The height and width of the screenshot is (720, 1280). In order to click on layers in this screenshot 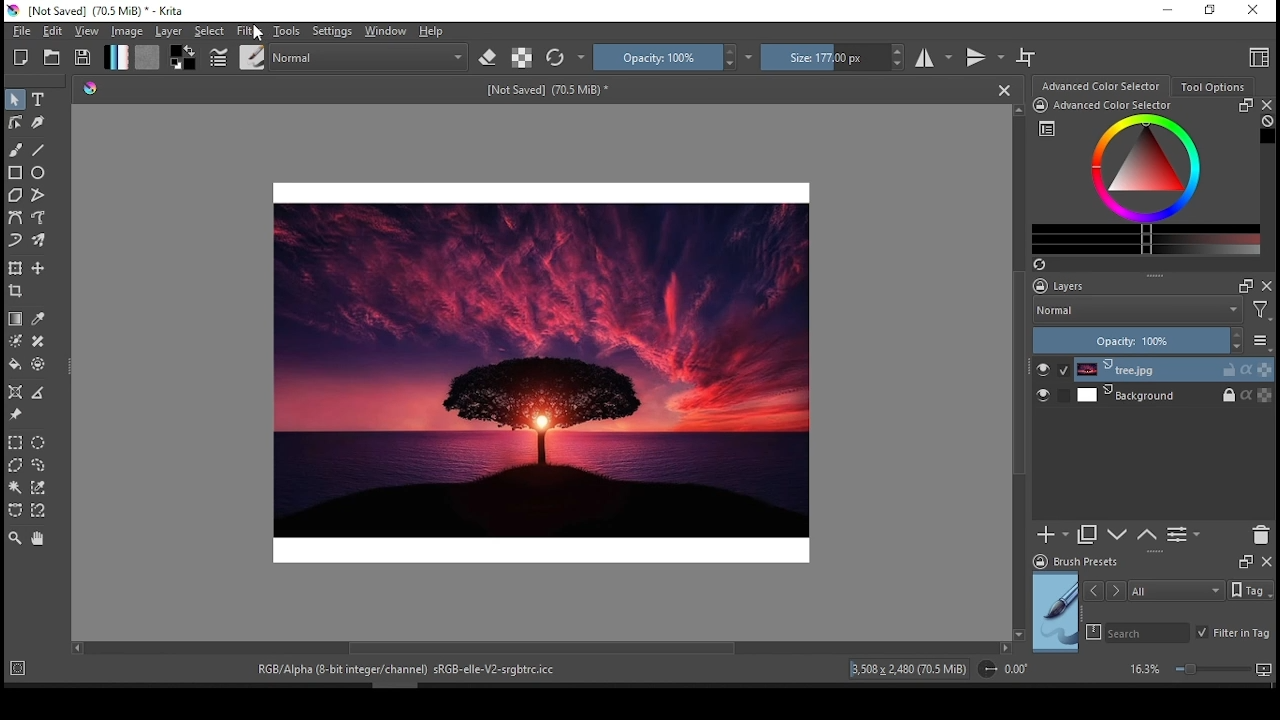, I will do `click(1056, 284)`.